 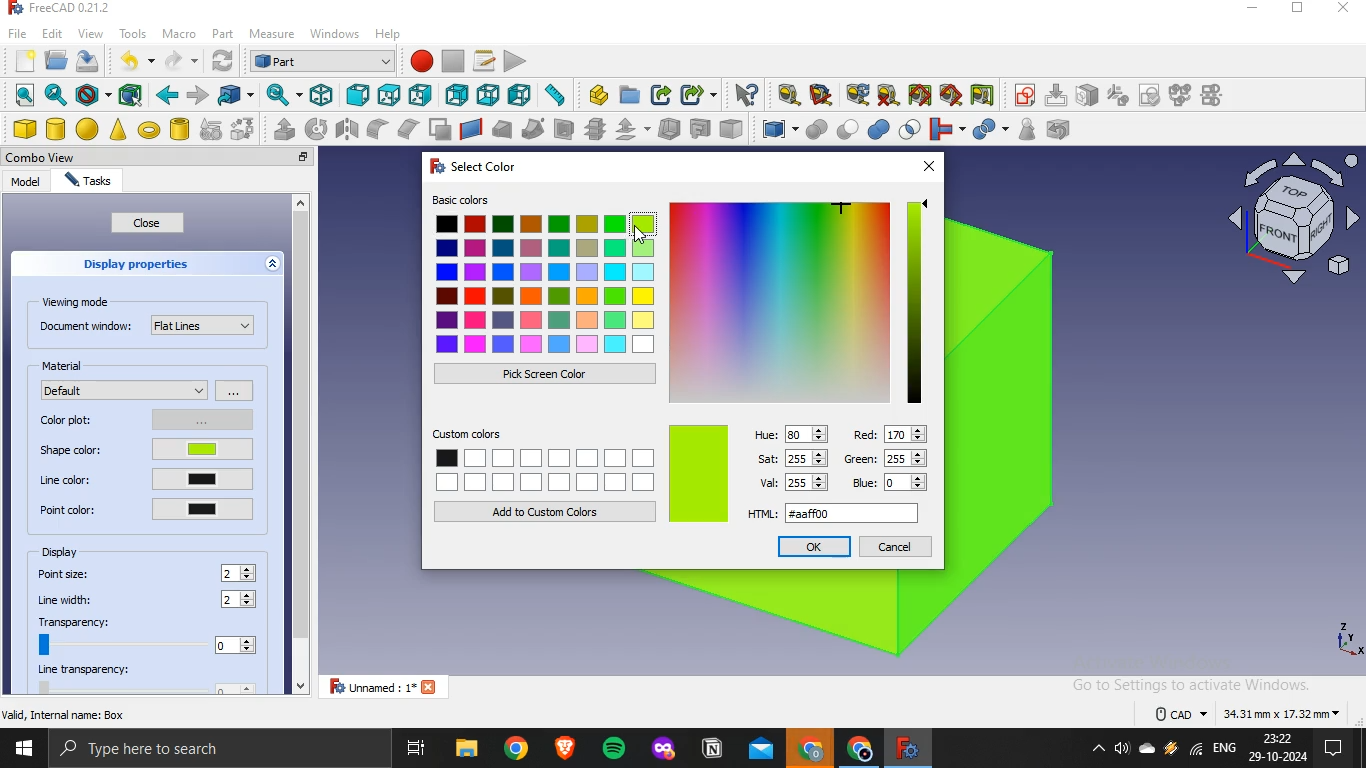 I want to click on bottom, so click(x=489, y=95).